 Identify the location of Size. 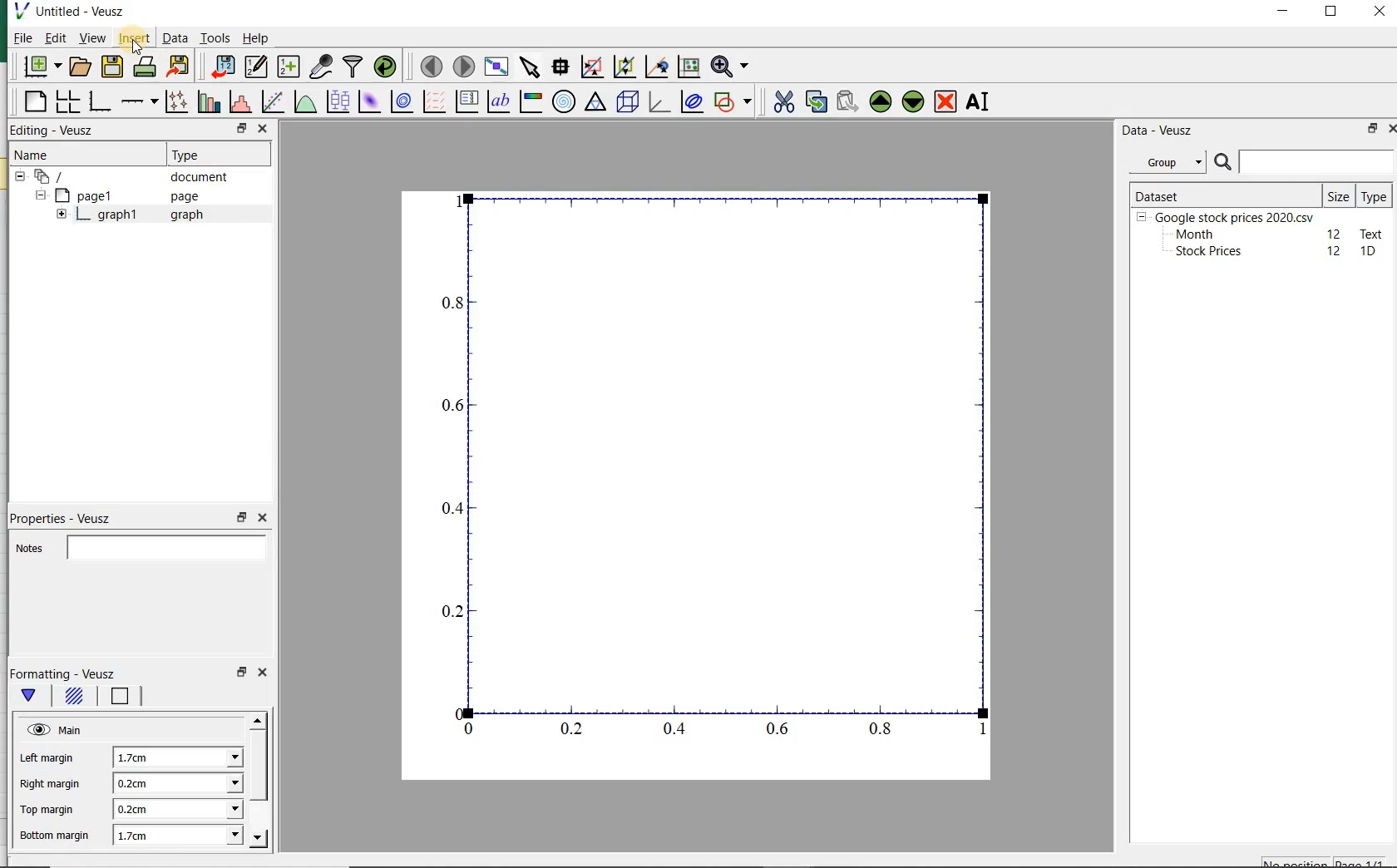
(1339, 195).